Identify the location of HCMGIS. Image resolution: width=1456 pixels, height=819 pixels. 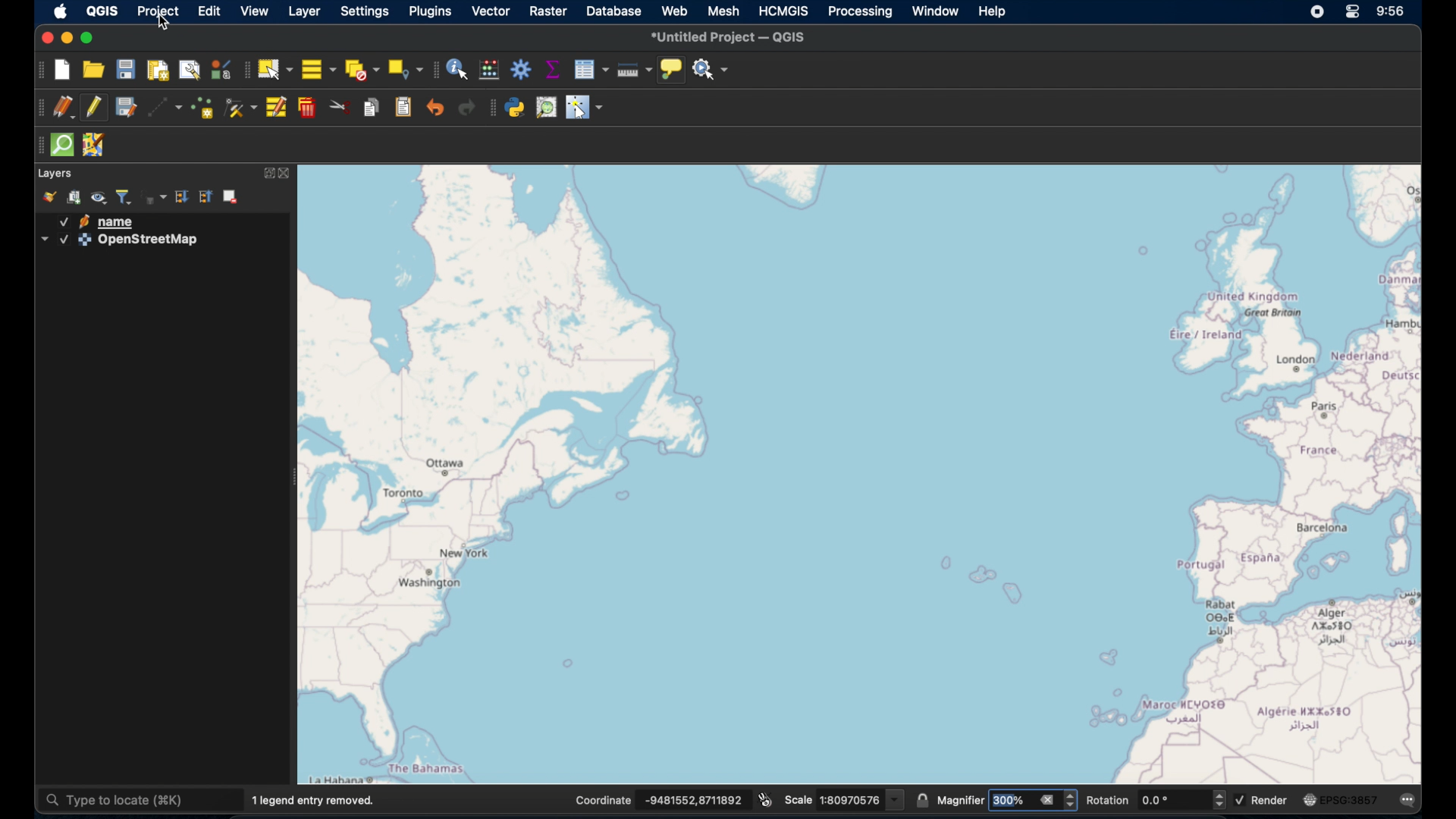
(783, 11).